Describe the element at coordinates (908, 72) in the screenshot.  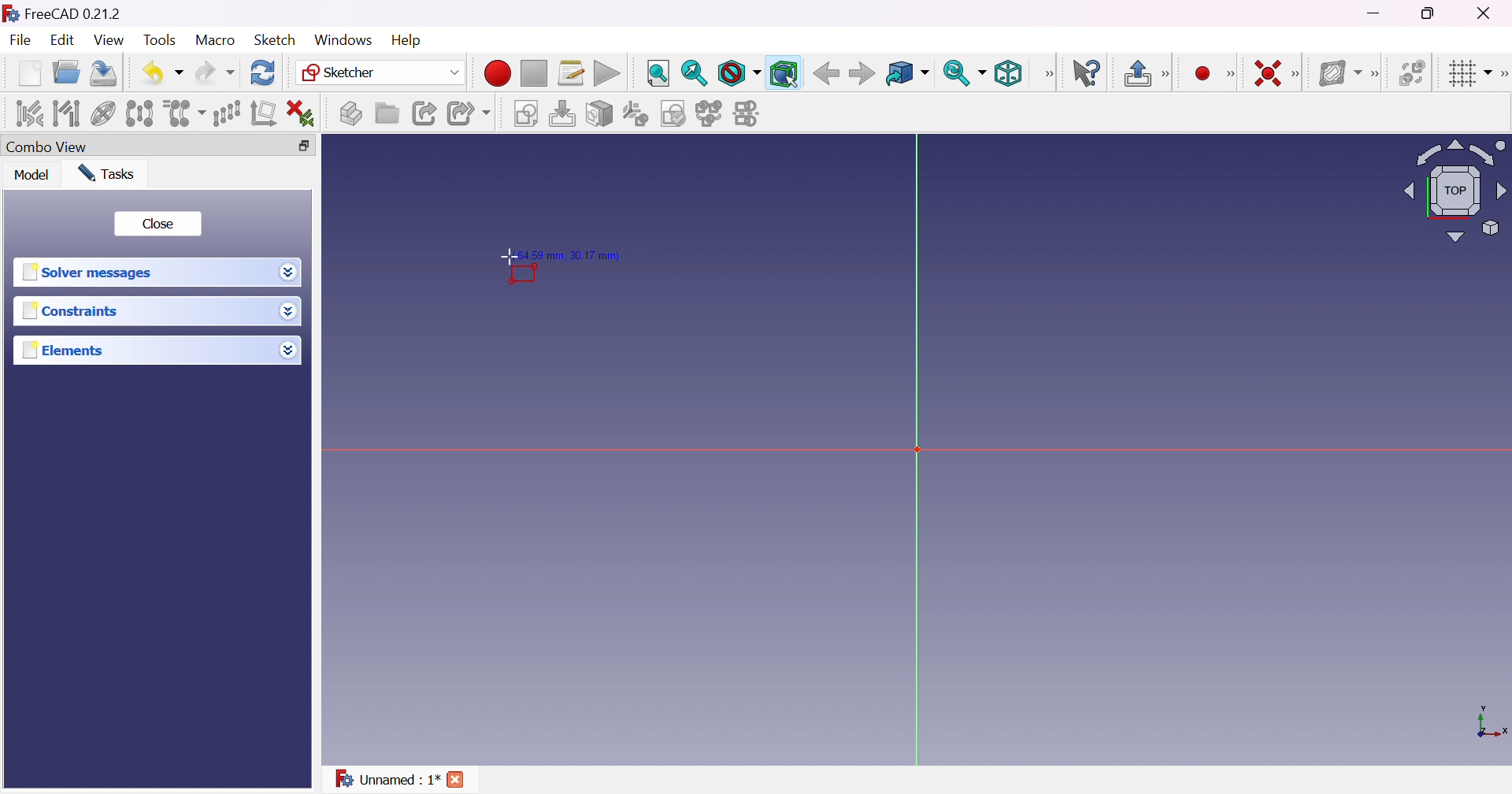
I see `Go to linked object` at that location.